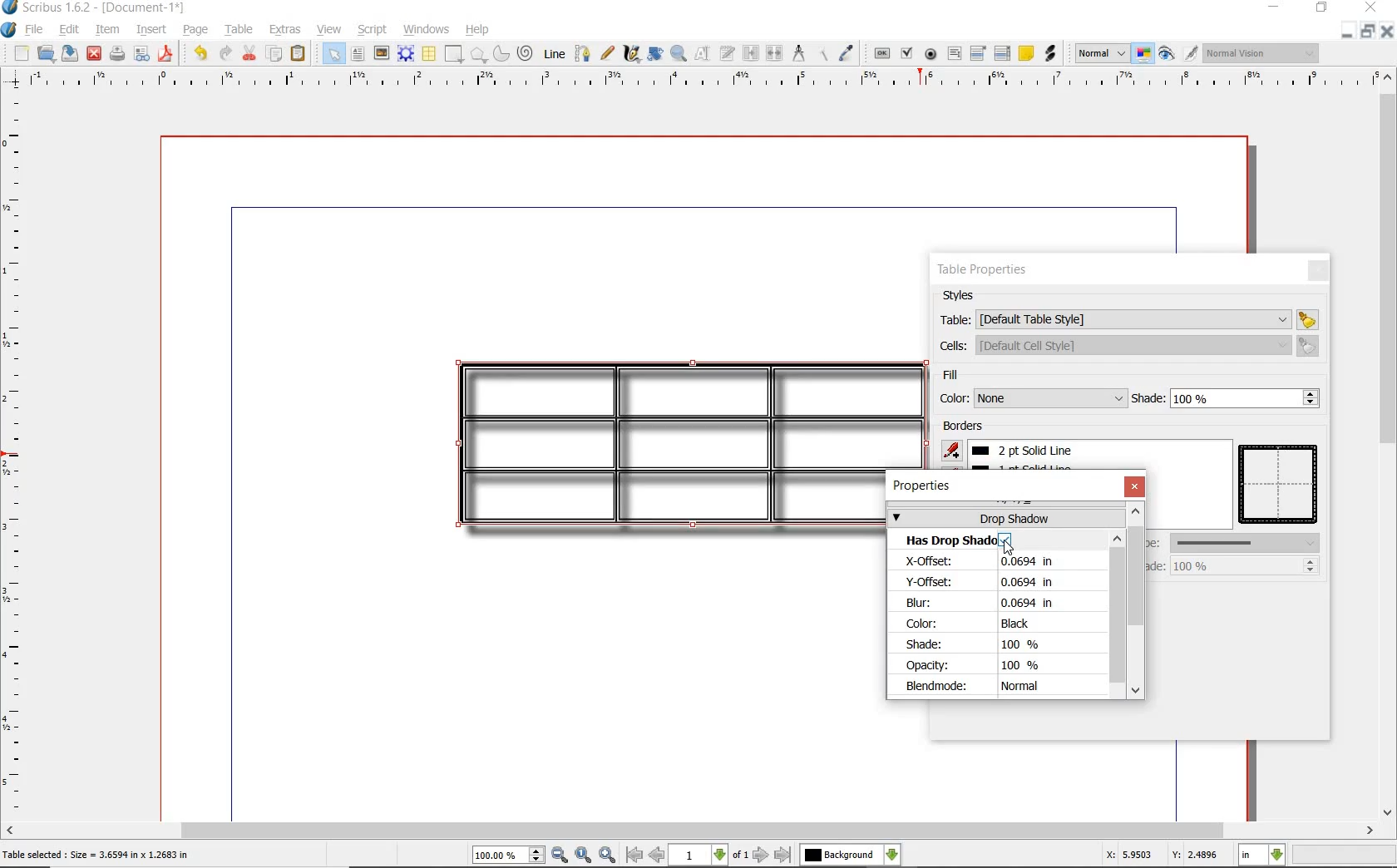 This screenshot has width=1397, height=868. I want to click on pdf combo box, so click(978, 54).